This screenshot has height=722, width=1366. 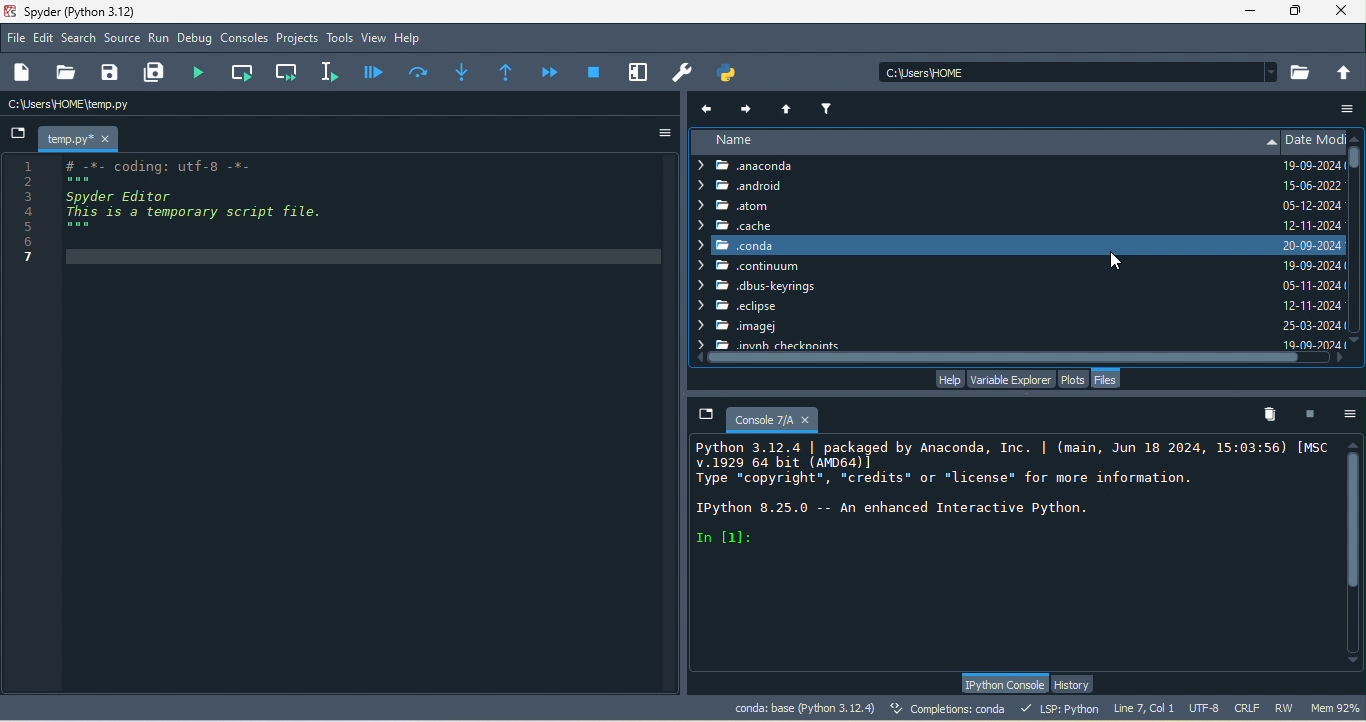 What do you see at coordinates (753, 328) in the screenshot?
I see `imagej` at bounding box center [753, 328].